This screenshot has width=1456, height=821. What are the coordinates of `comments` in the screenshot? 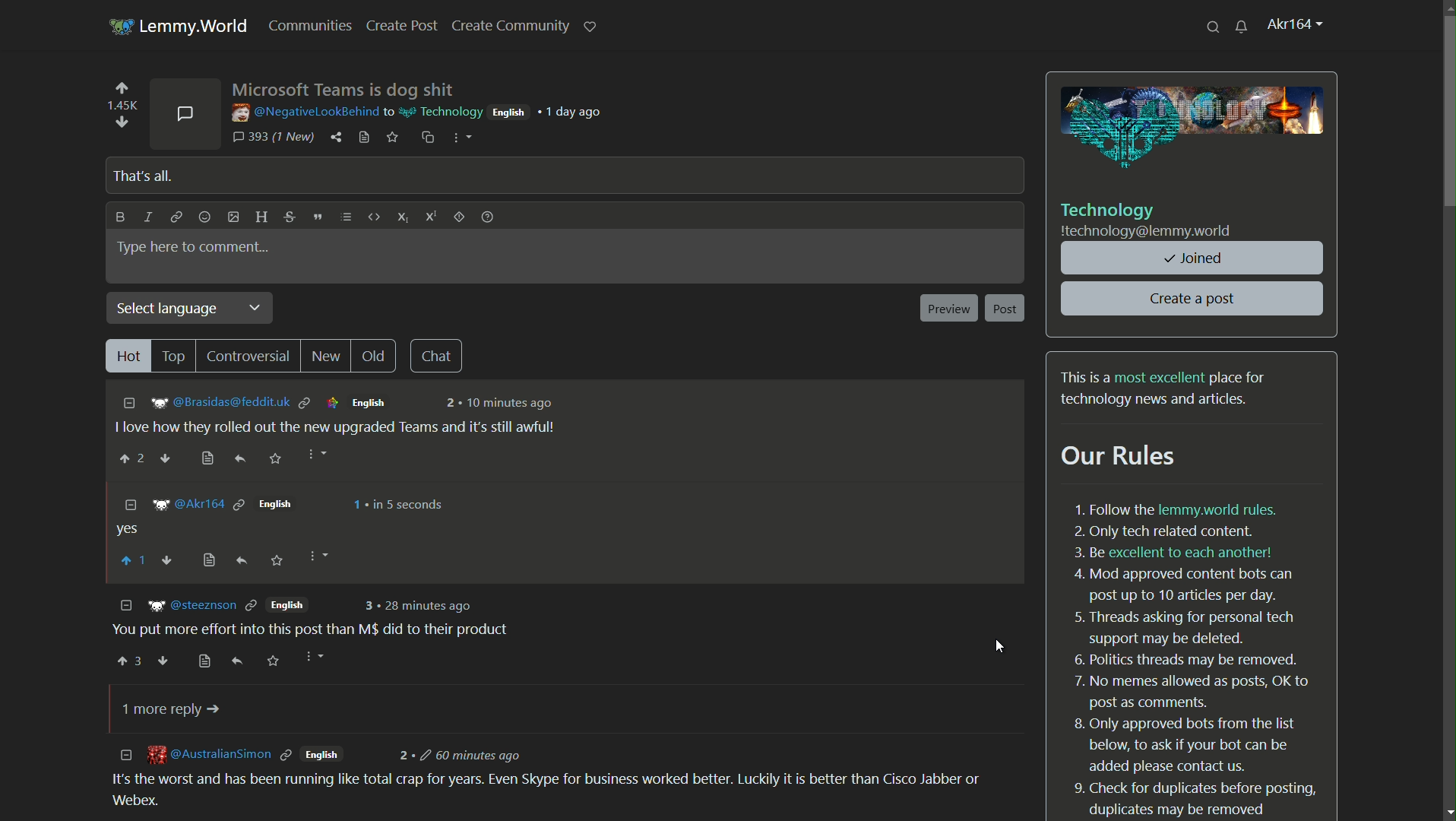 It's located at (185, 112).